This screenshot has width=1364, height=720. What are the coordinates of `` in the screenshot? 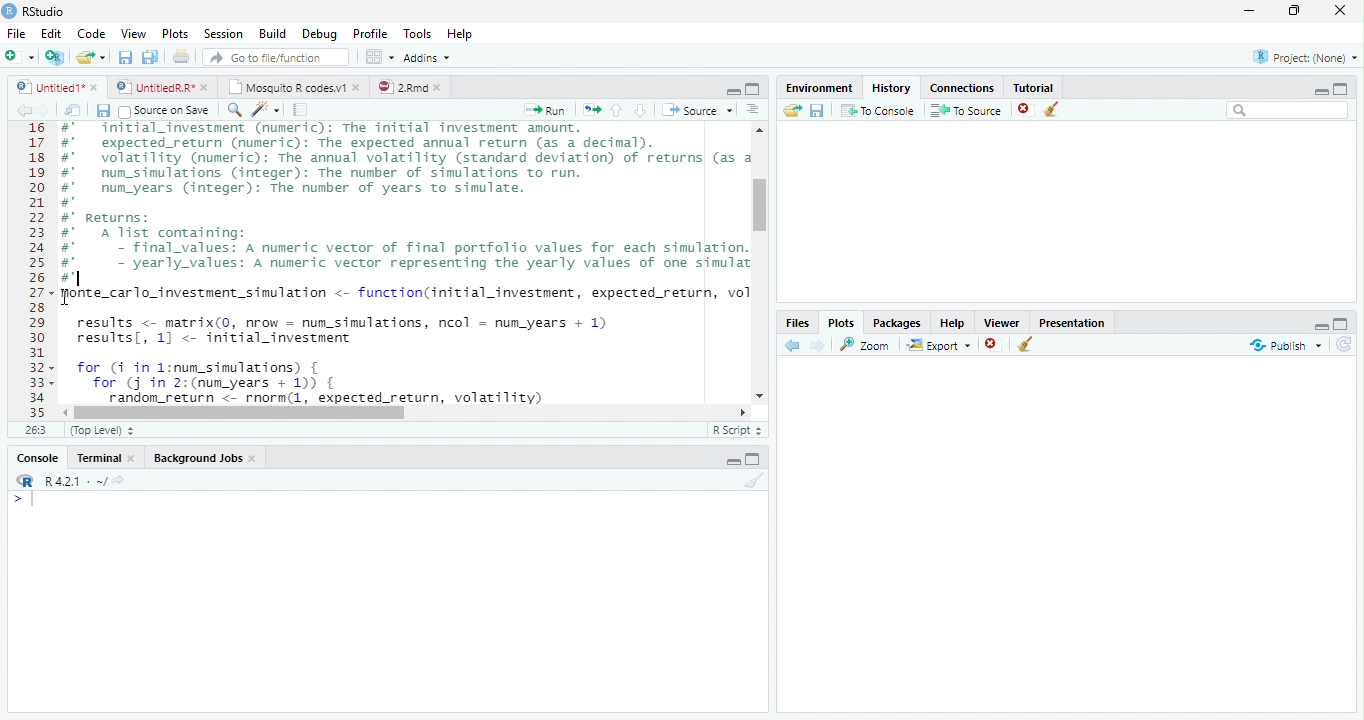 It's located at (732, 89).